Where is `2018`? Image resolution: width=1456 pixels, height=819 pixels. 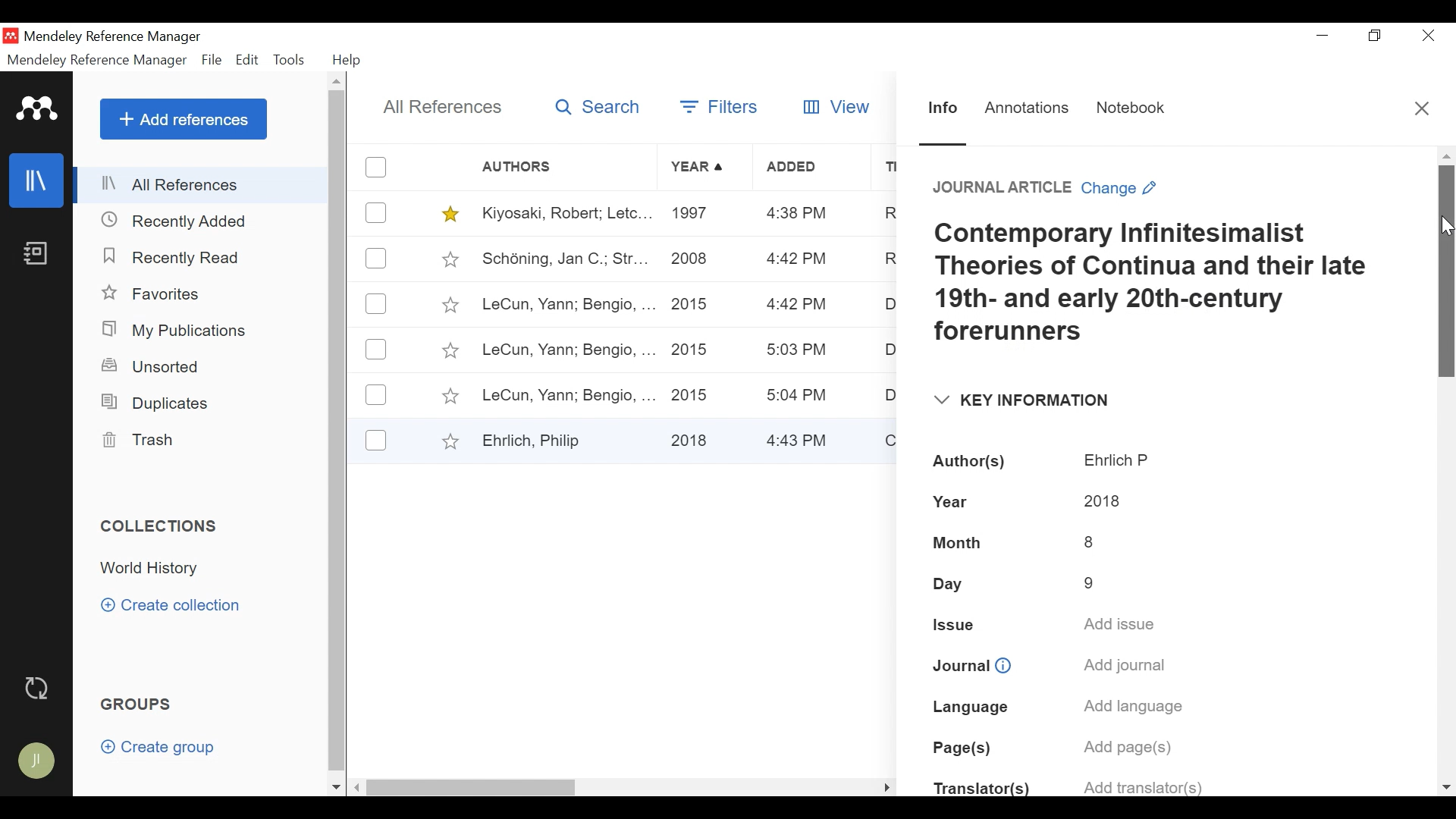 2018 is located at coordinates (1100, 500).